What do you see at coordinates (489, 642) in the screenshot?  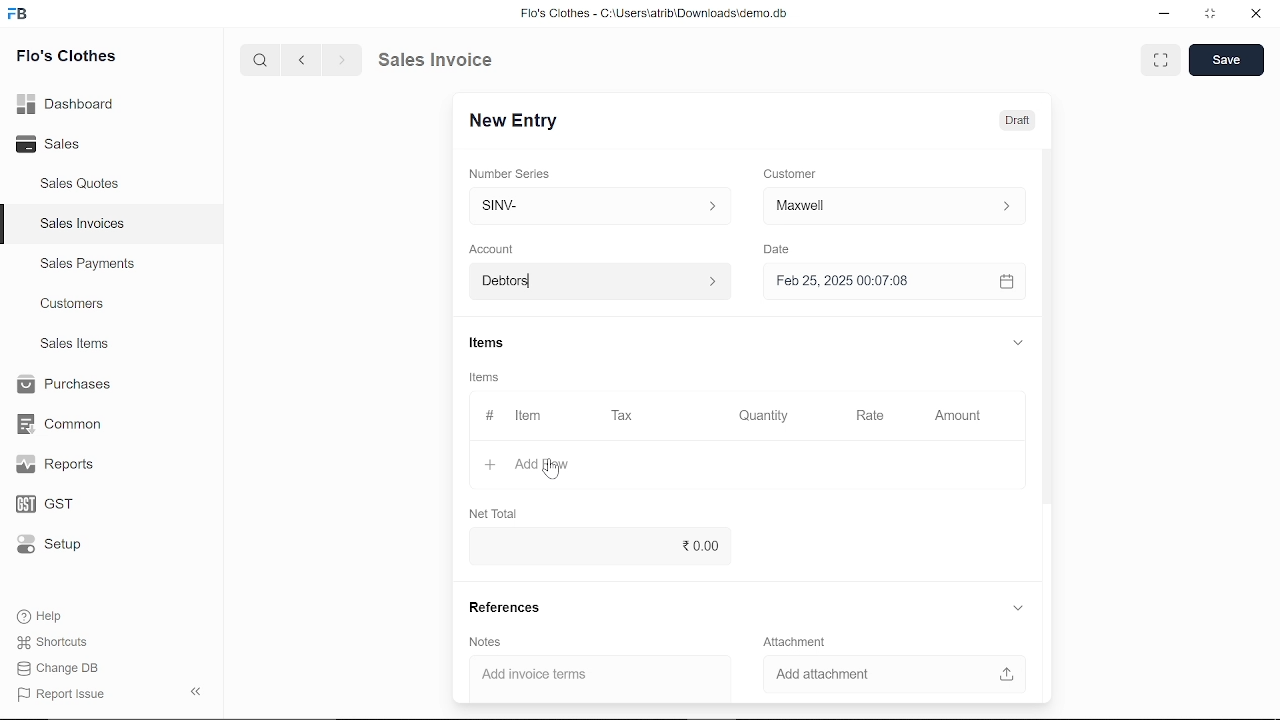 I see `‘Notes` at bounding box center [489, 642].